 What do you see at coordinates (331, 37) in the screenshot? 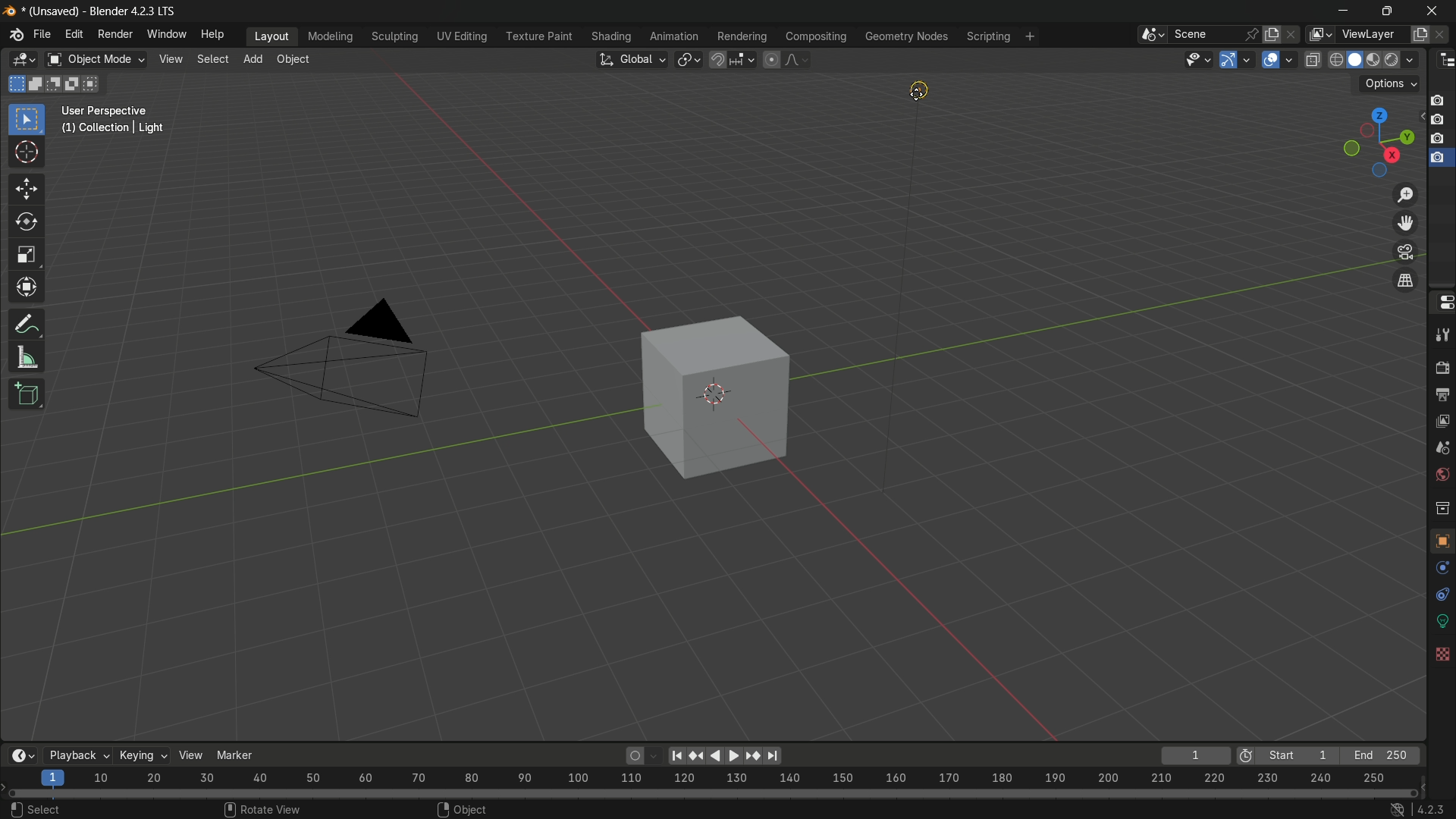
I see `modeling menu` at bounding box center [331, 37].